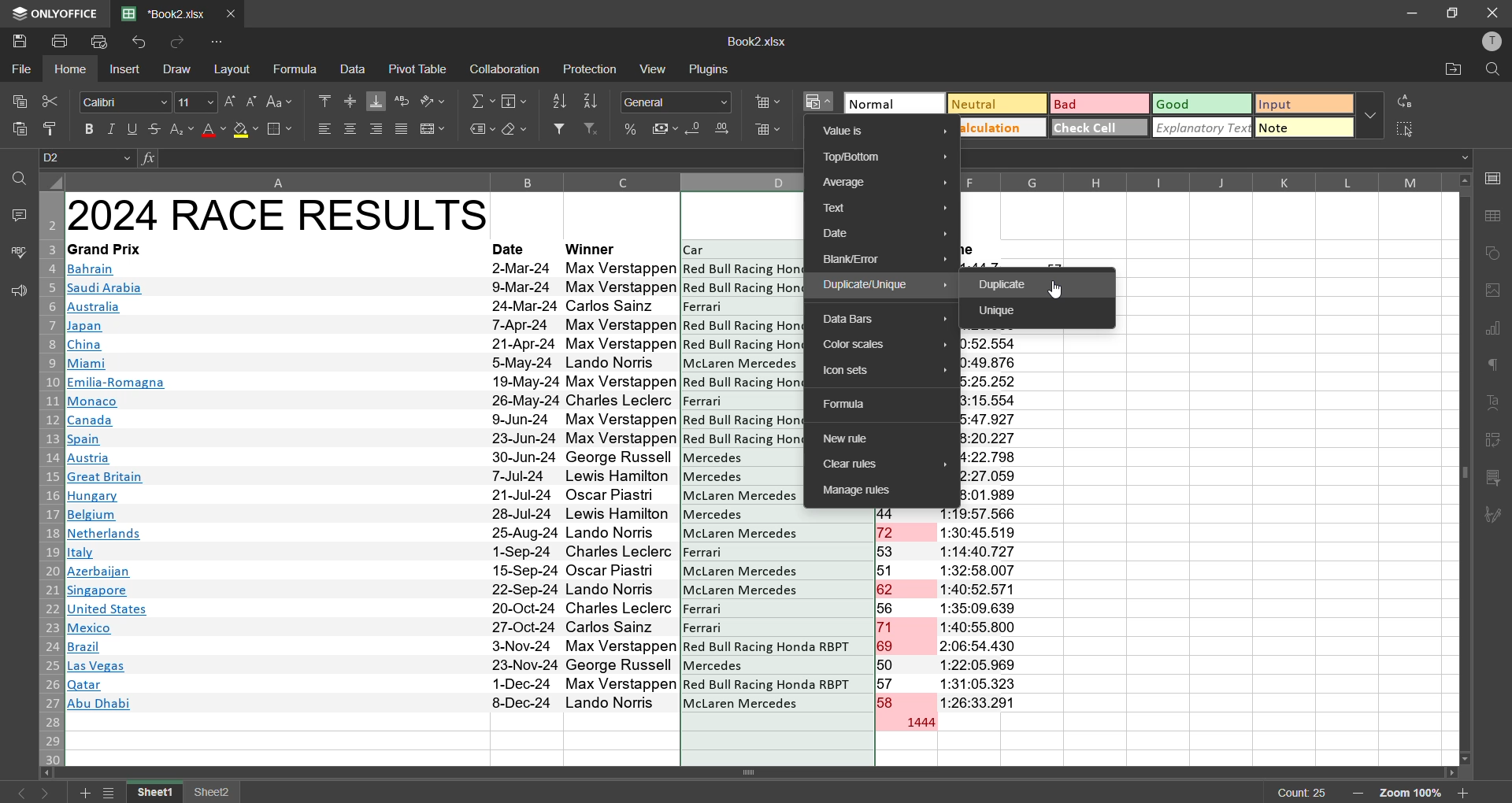 The image size is (1512, 803). What do you see at coordinates (133, 128) in the screenshot?
I see `underline` at bounding box center [133, 128].